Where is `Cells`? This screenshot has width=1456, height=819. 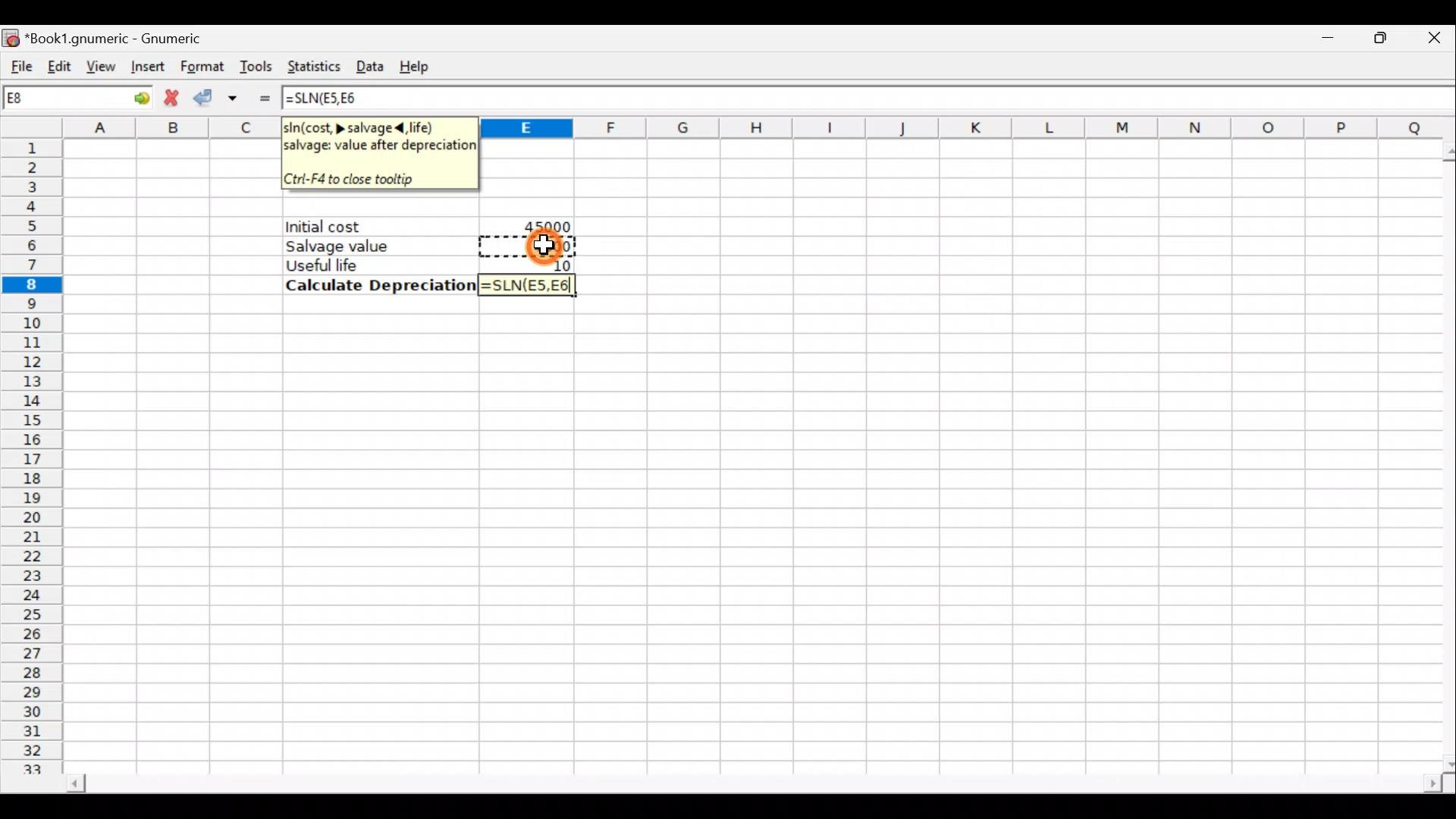
Cells is located at coordinates (747, 538).